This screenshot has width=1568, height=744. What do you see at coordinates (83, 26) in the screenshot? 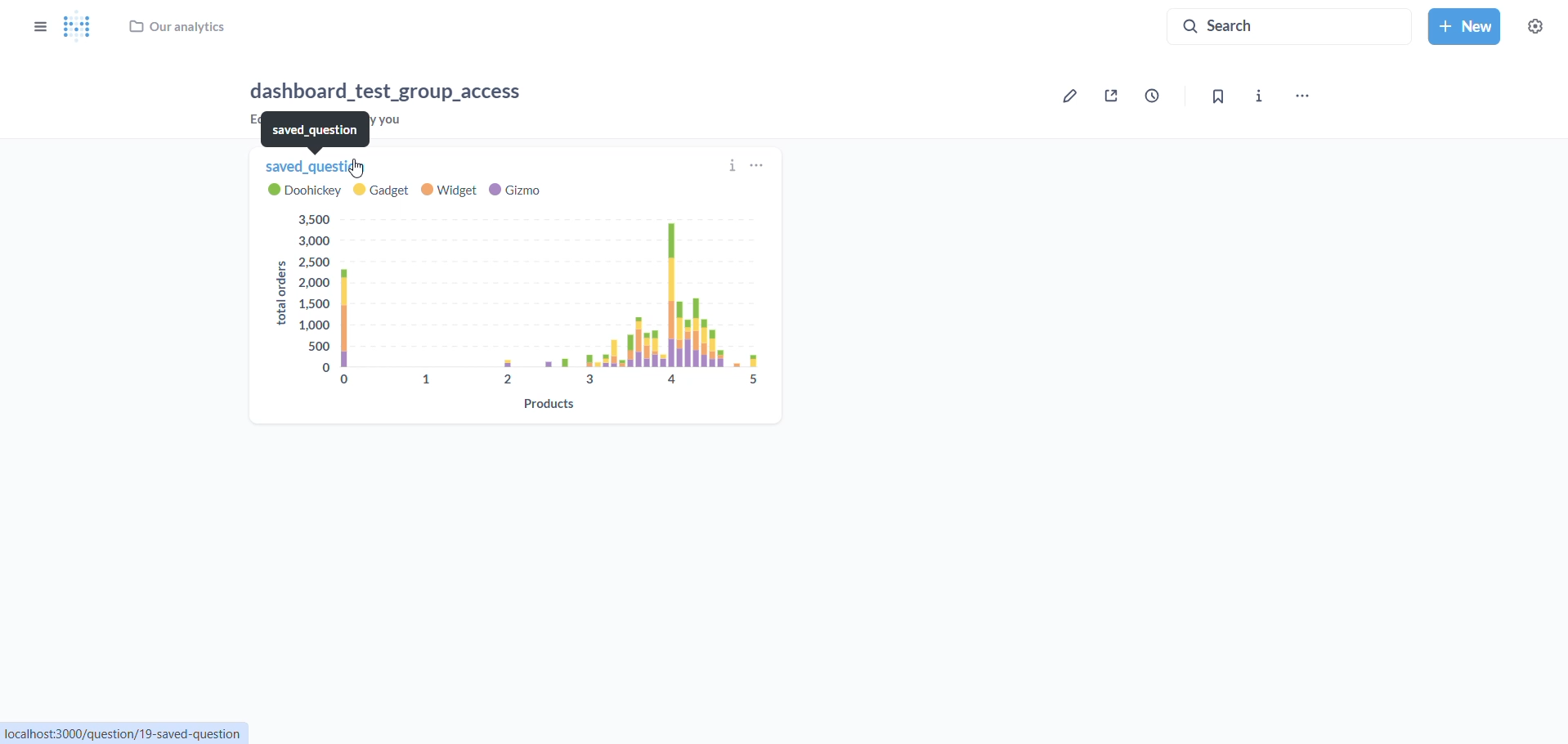
I see `metabase Logo` at bounding box center [83, 26].